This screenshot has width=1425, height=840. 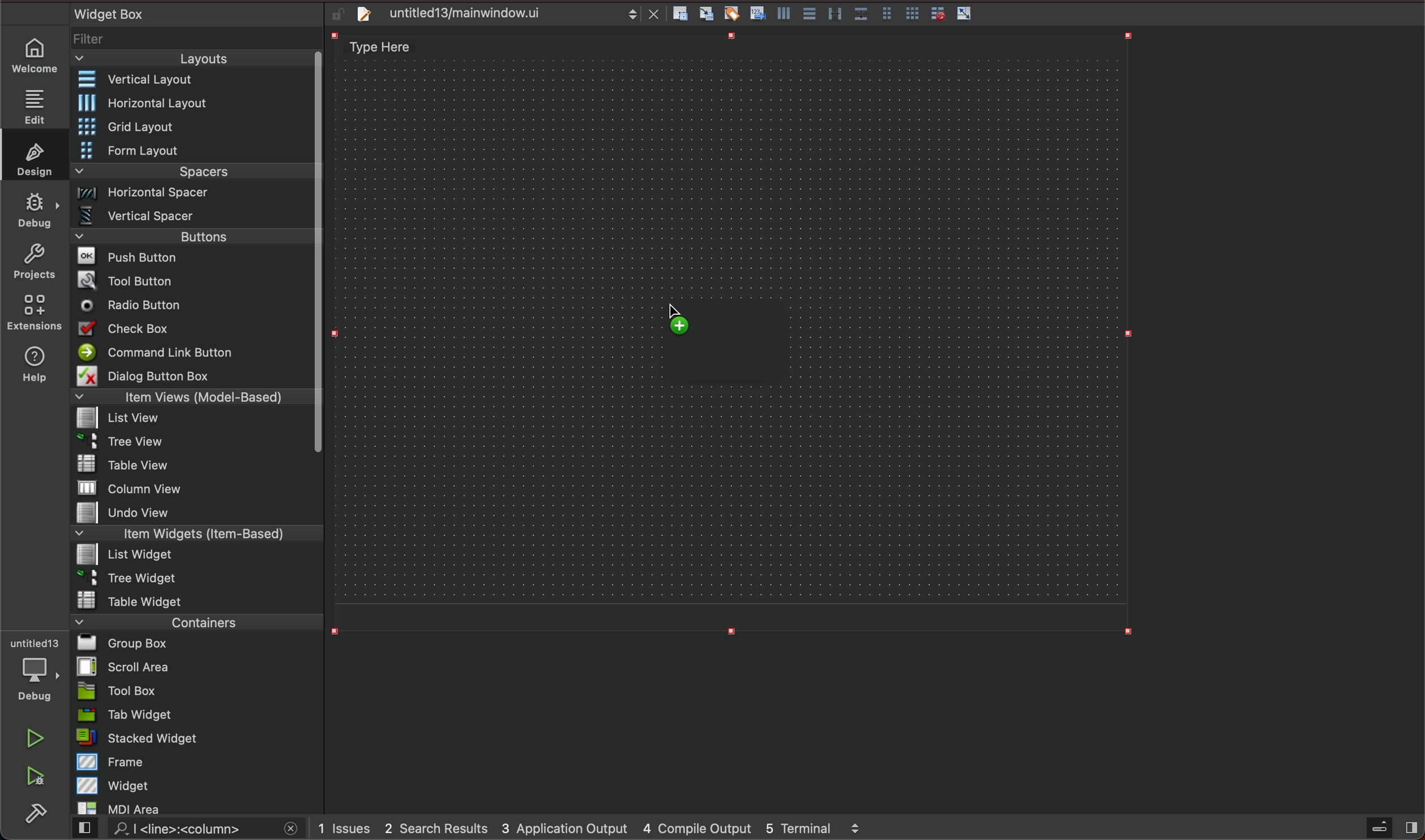 I want to click on tree widget, so click(x=193, y=578).